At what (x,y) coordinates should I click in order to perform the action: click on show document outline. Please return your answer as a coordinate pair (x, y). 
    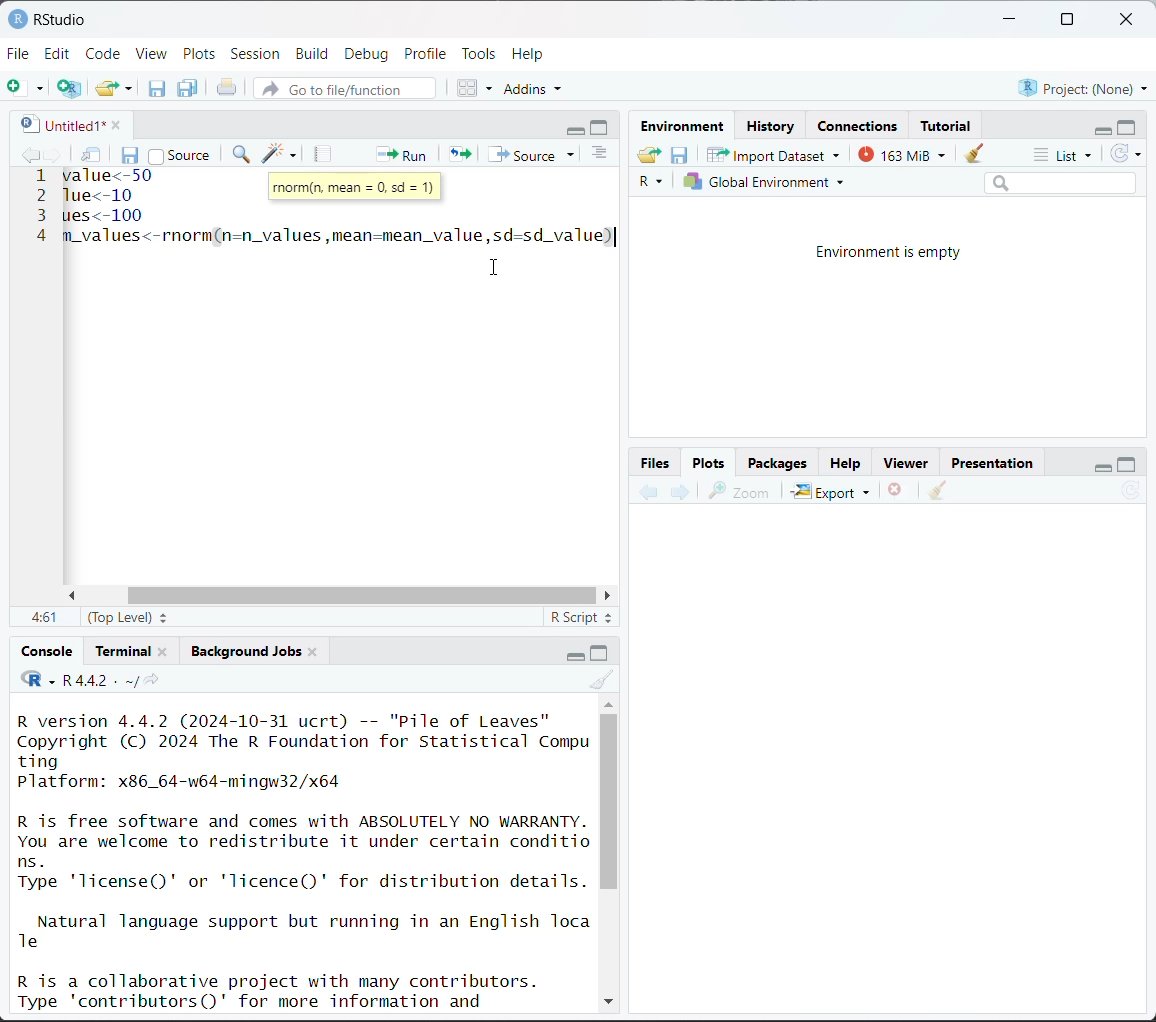
    Looking at the image, I should click on (603, 155).